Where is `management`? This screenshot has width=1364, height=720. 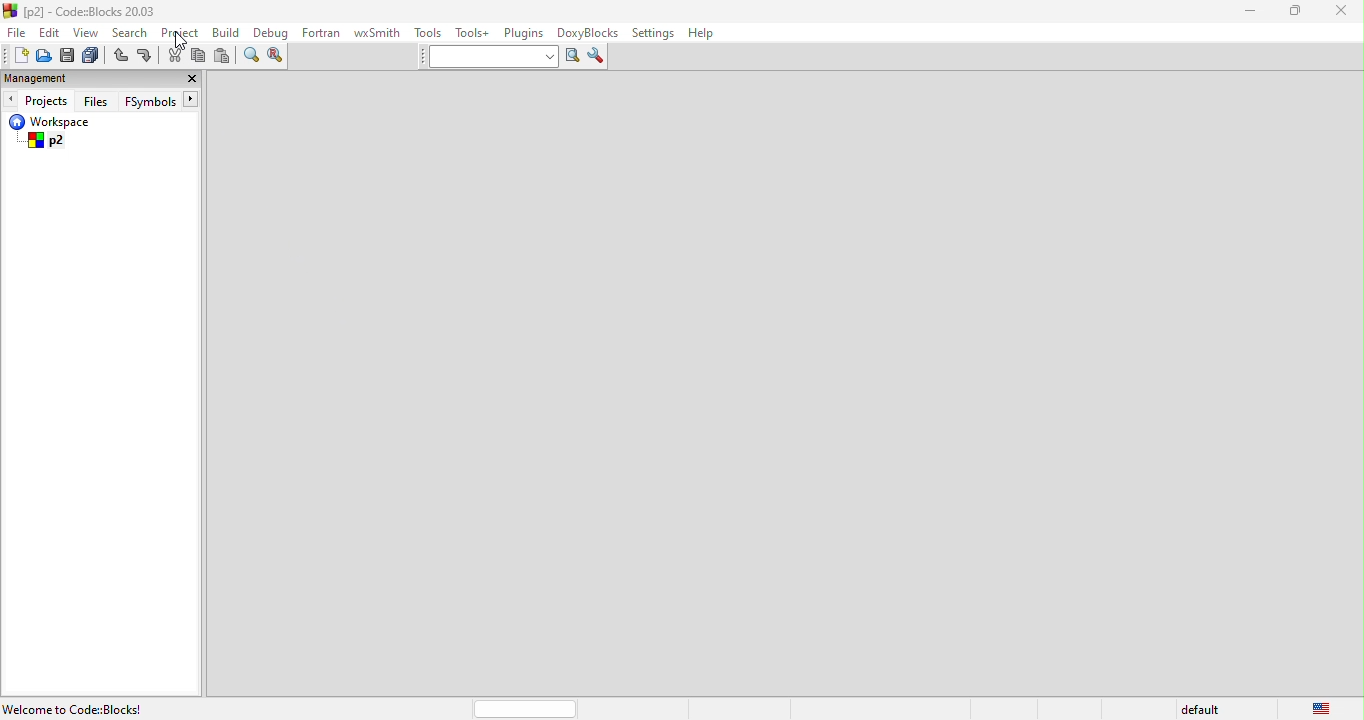
management is located at coordinates (51, 78).